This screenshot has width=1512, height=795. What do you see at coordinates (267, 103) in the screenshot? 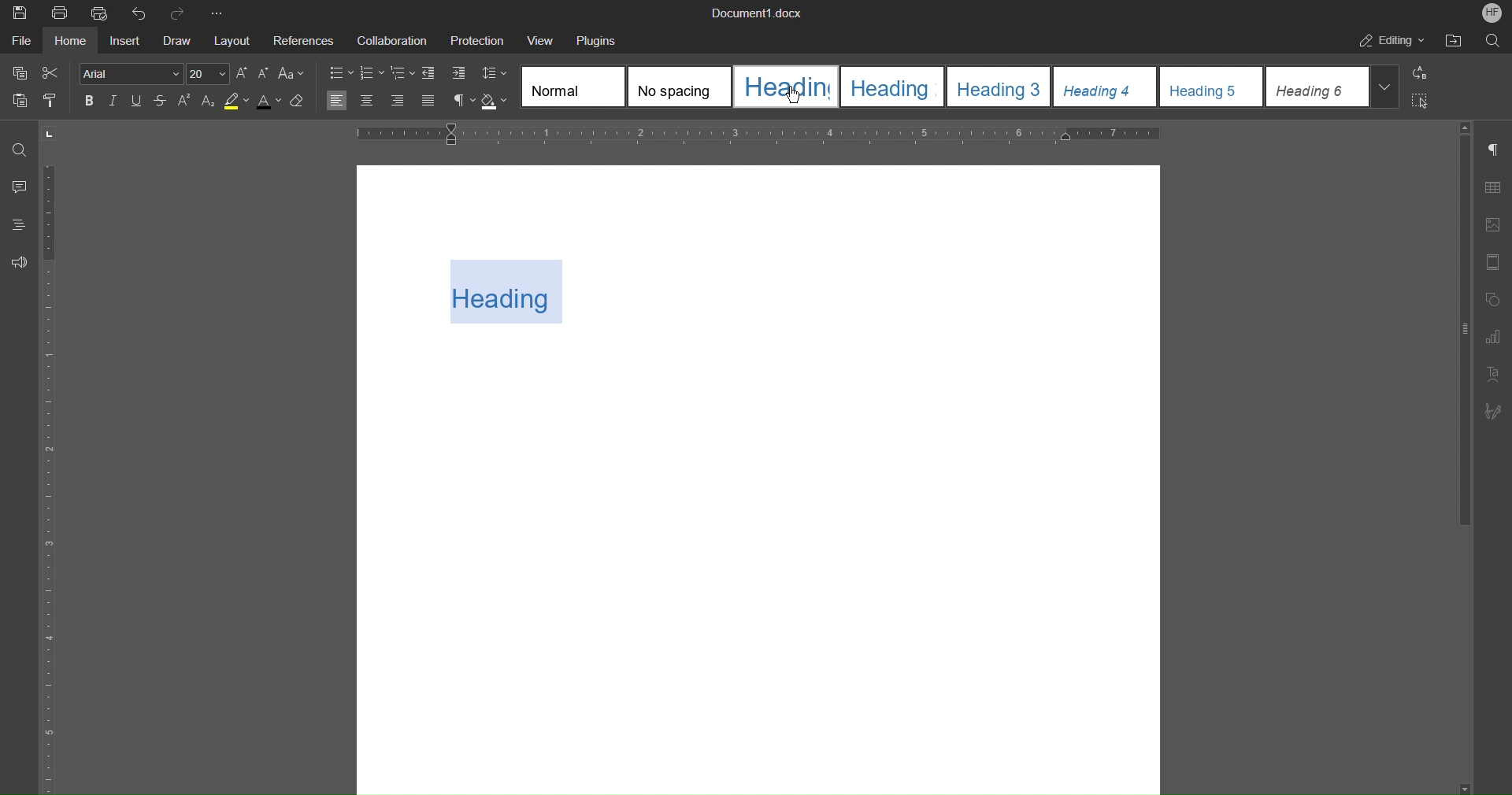
I see `Text Color` at bounding box center [267, 103].